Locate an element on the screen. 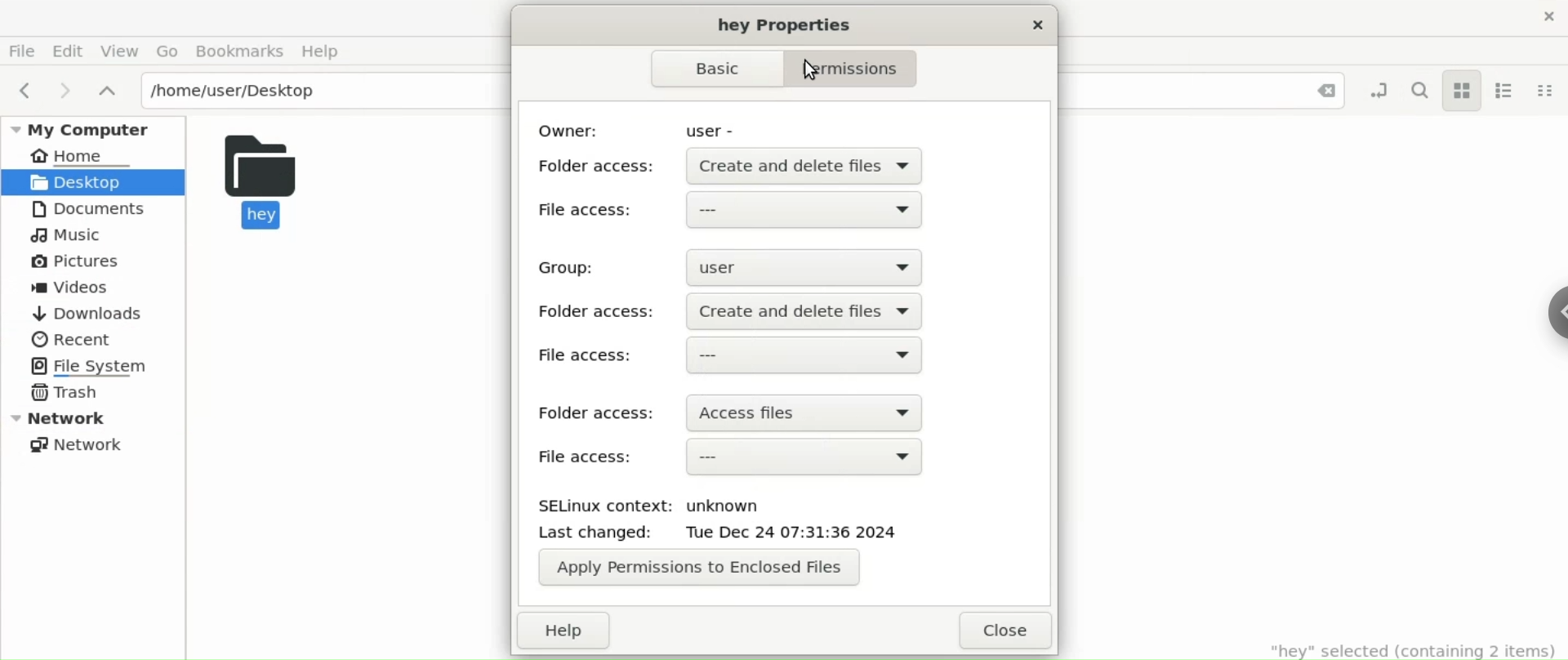 The height and width of the screenshot is (660, 1568). Pictures is located at coordinates (82, 264).